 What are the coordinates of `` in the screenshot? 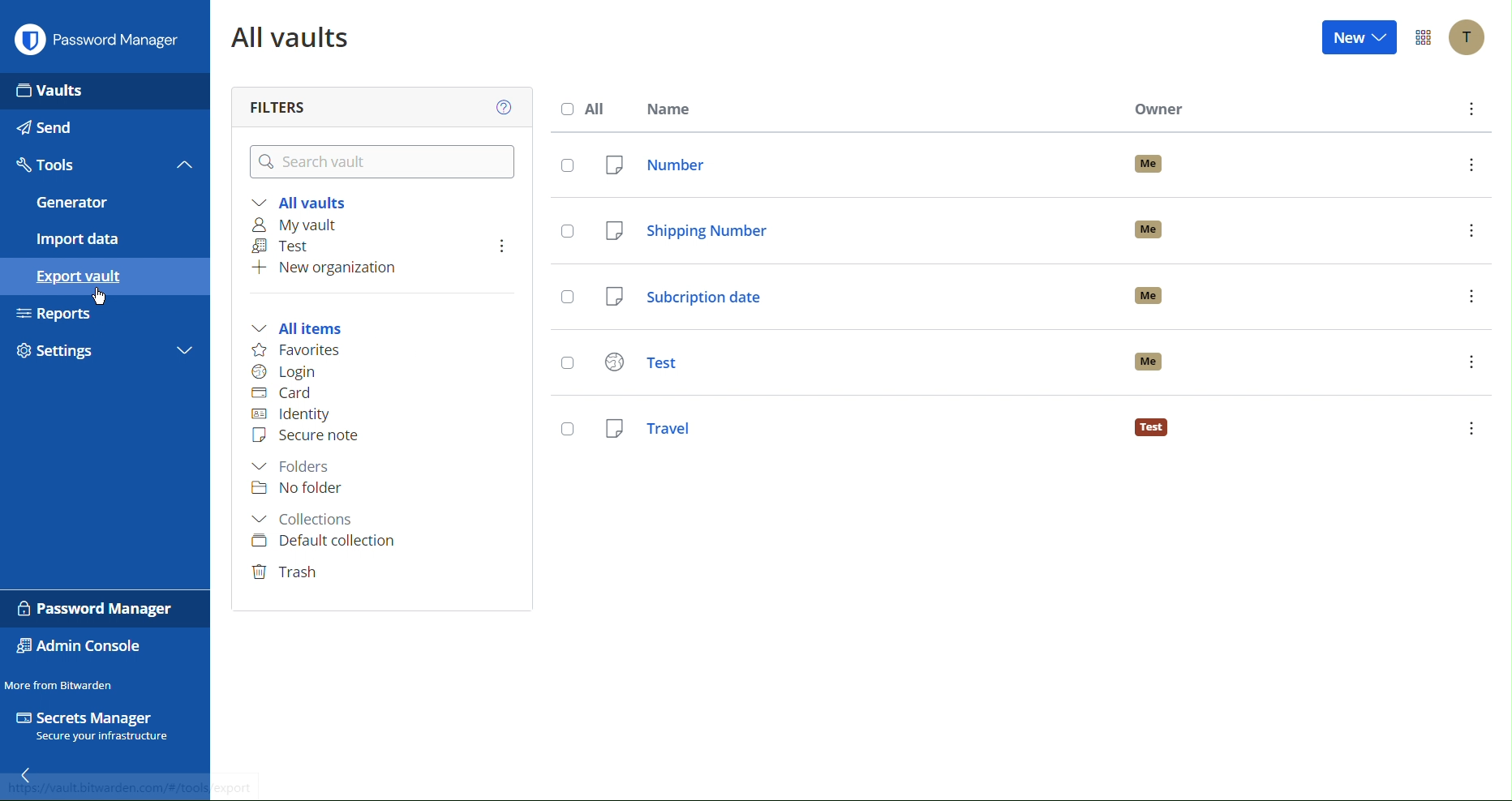 It's located at (322, 540).